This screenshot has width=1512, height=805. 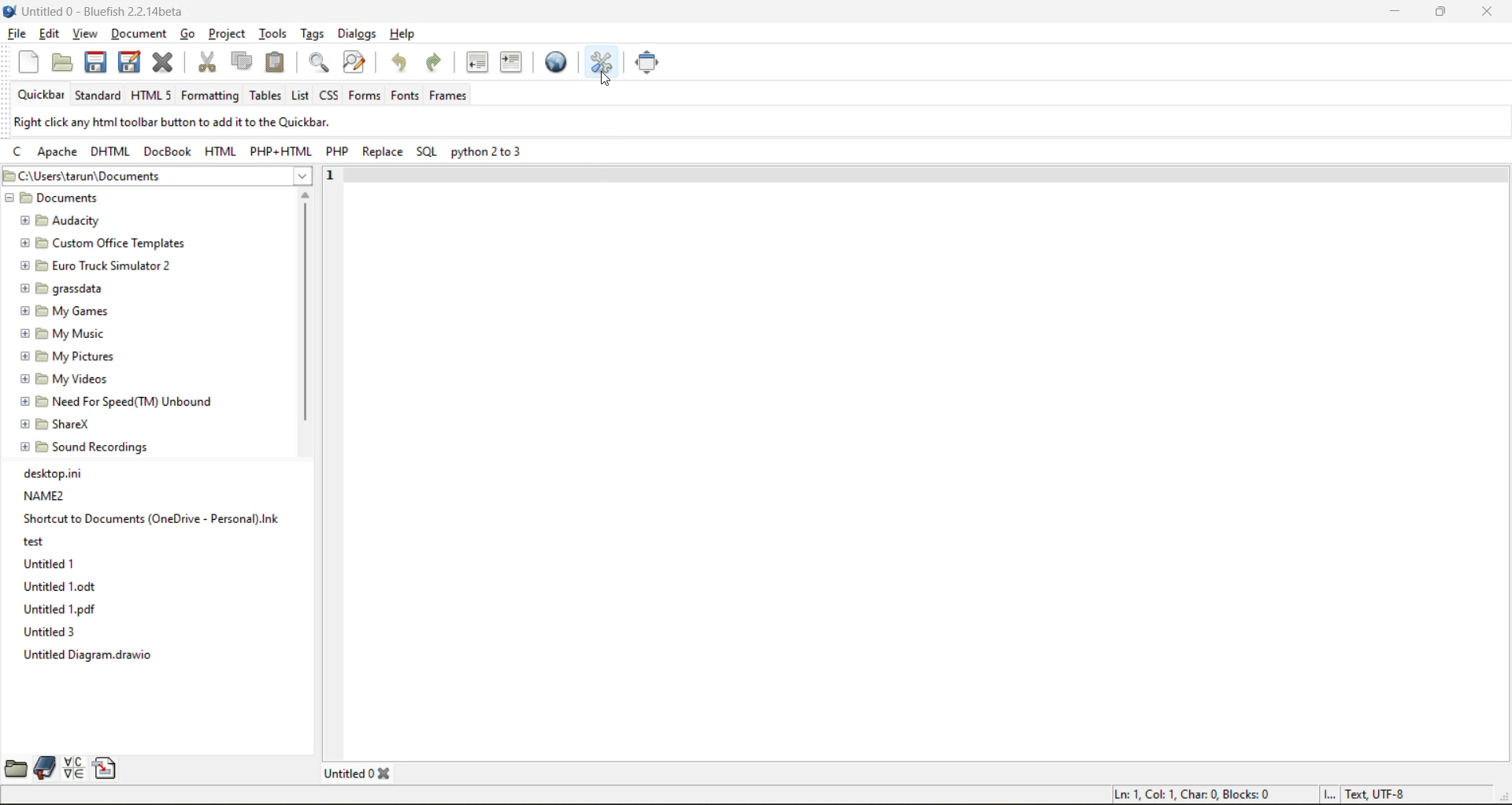 What do you see at coordinates (338, 153) in the screenshot?
I see `php` at bounding box center [338, 153].